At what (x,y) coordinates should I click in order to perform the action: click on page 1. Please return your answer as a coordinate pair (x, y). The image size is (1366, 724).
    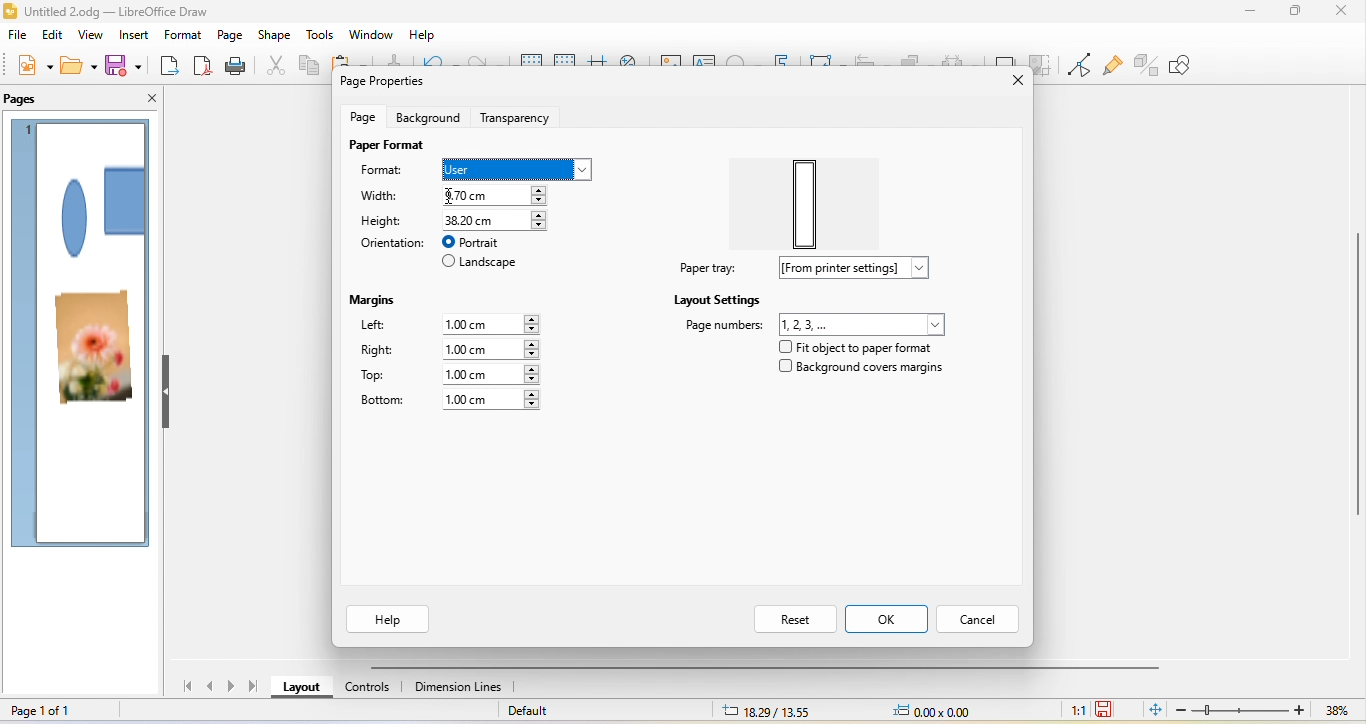
    Looking at the image, I should click on (30, 129).